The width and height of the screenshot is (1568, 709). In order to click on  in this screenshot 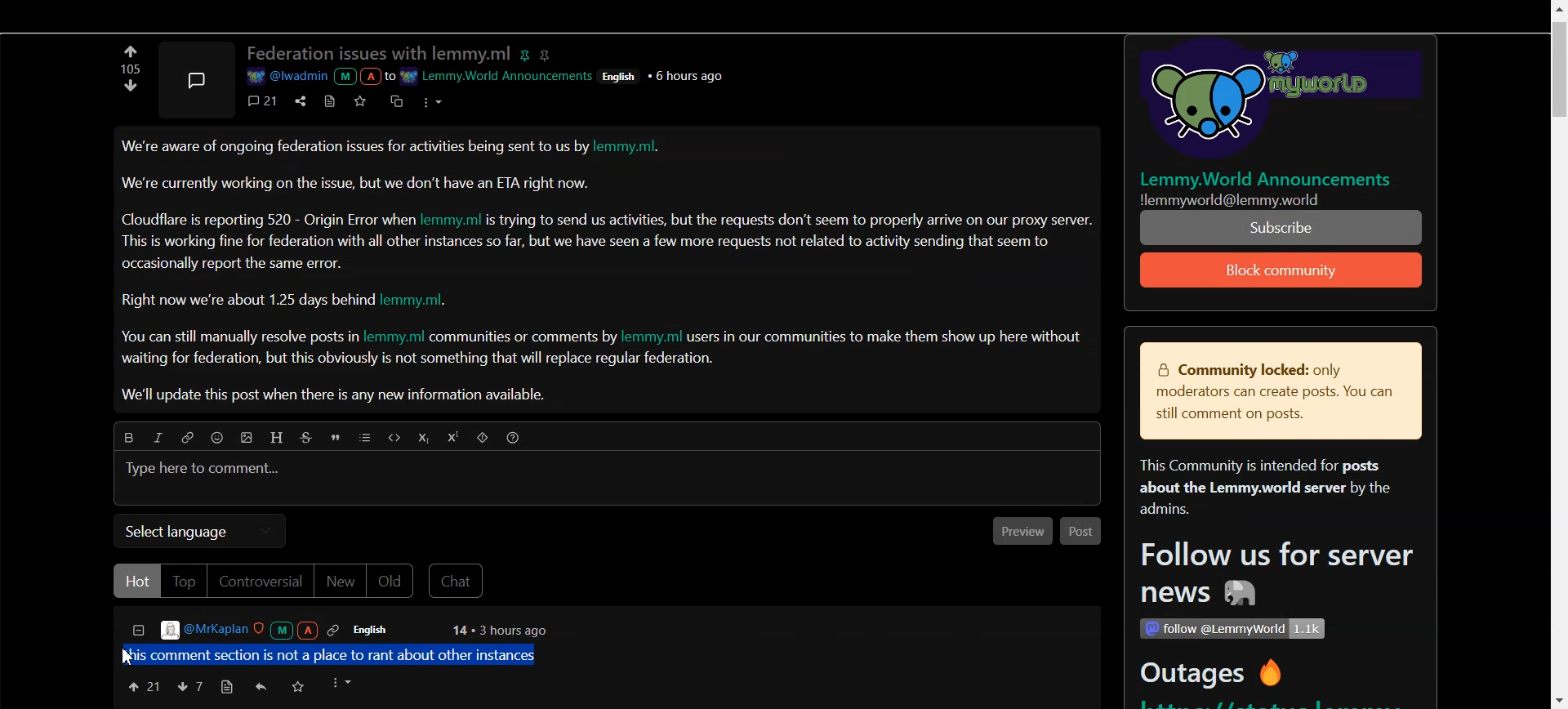, I will do `click(690, 75)`.